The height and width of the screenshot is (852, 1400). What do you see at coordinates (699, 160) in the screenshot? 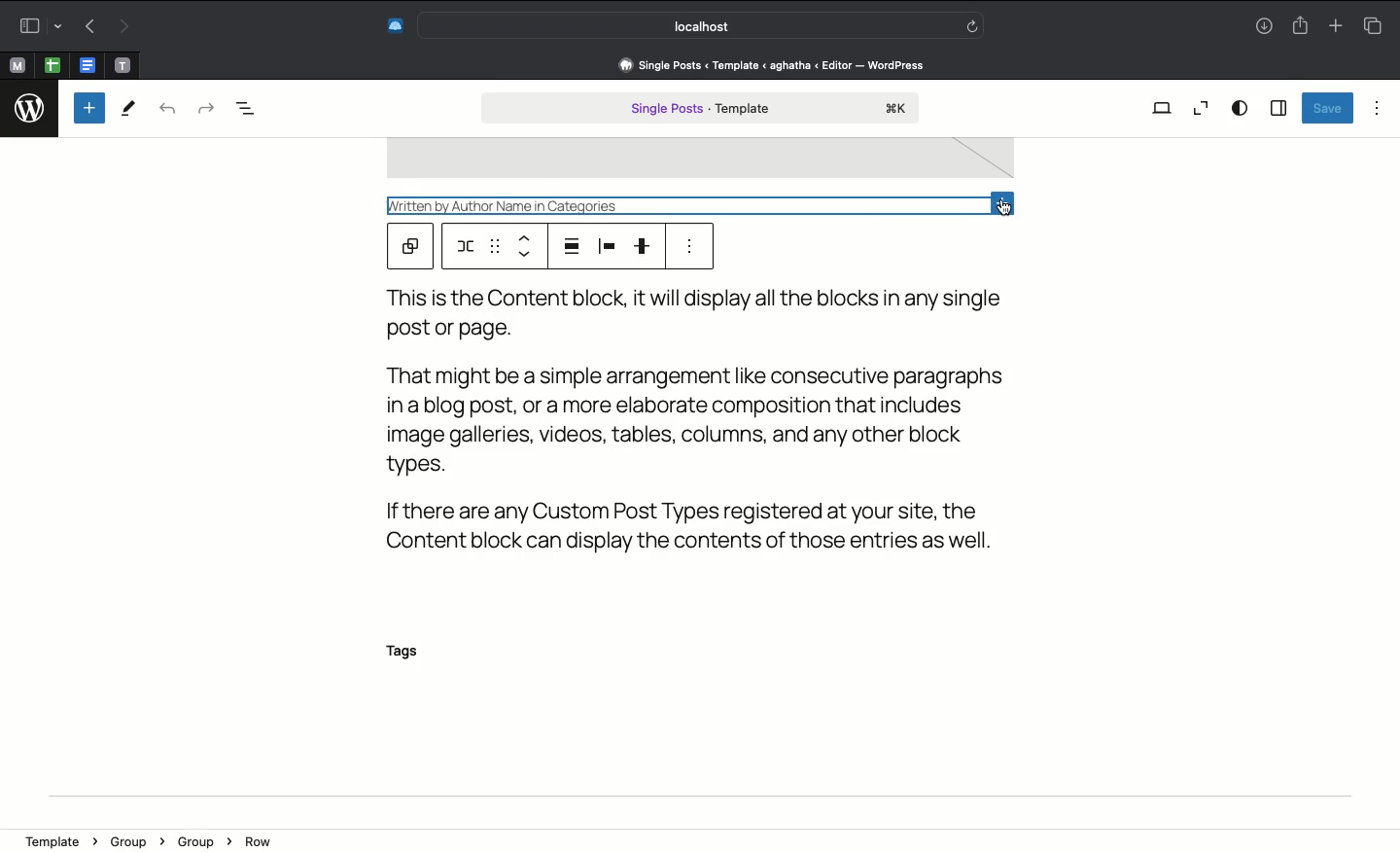
I see `image` at bounding box center [699, 160].